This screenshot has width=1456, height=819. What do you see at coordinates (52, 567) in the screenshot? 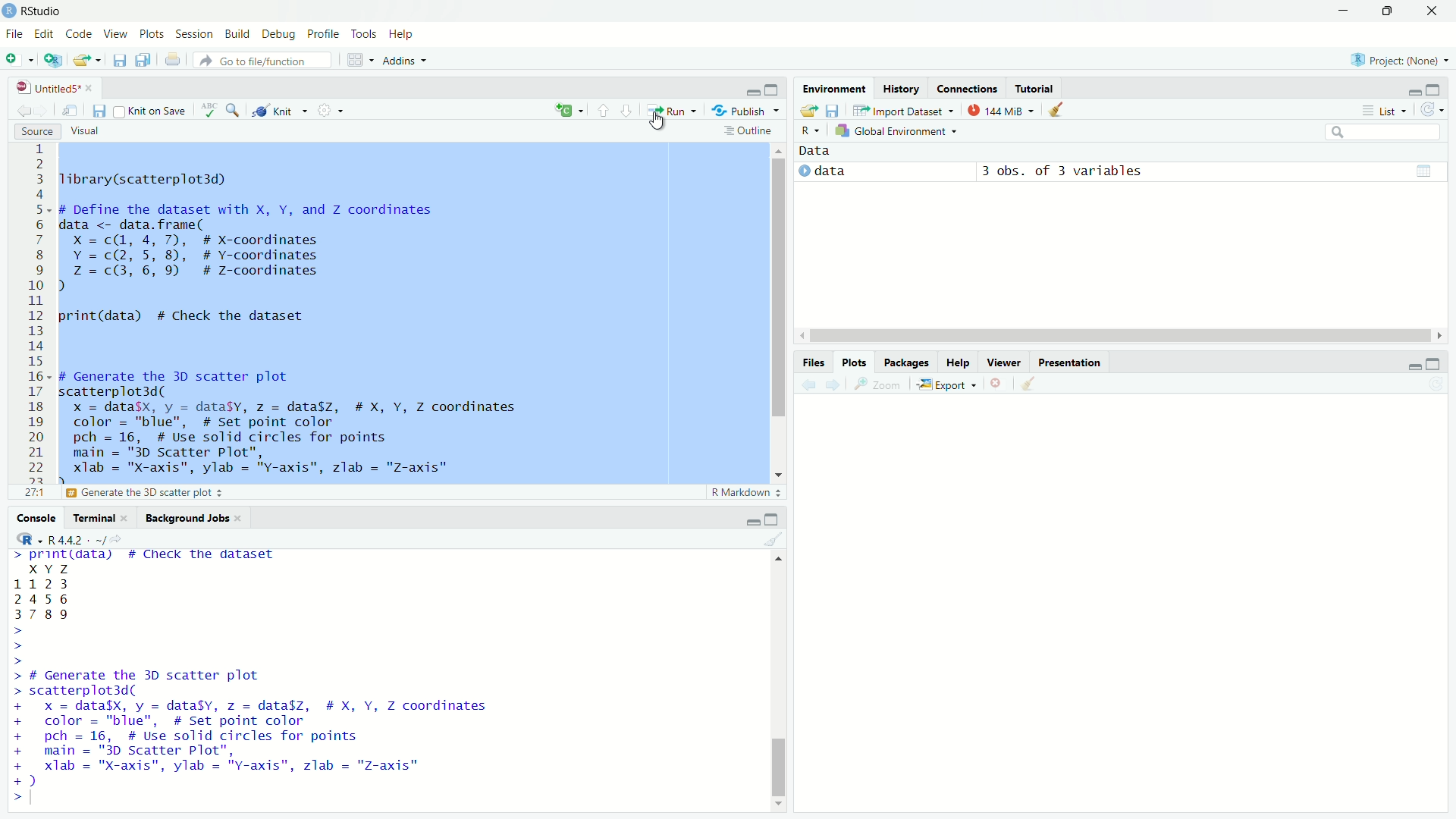
I see `x y 7` at bounding box center [52, 567].